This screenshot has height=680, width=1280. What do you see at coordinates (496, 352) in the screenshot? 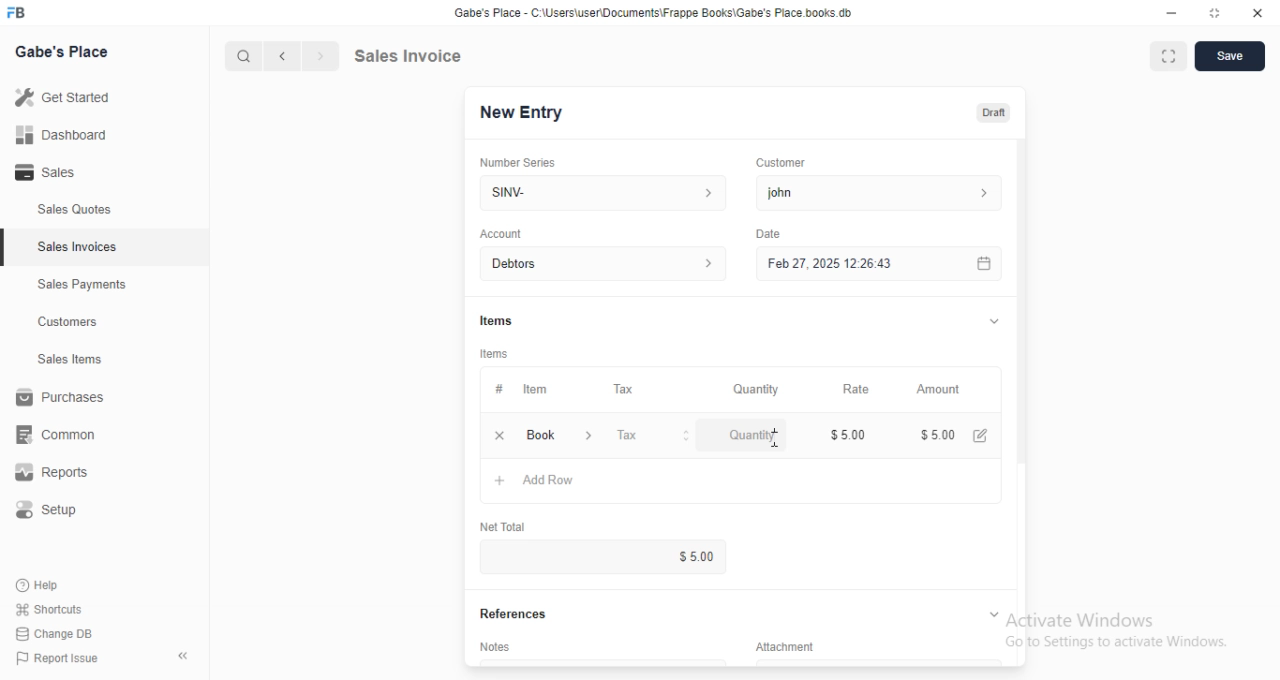
I see `Items` at bounding box center [496, 352].